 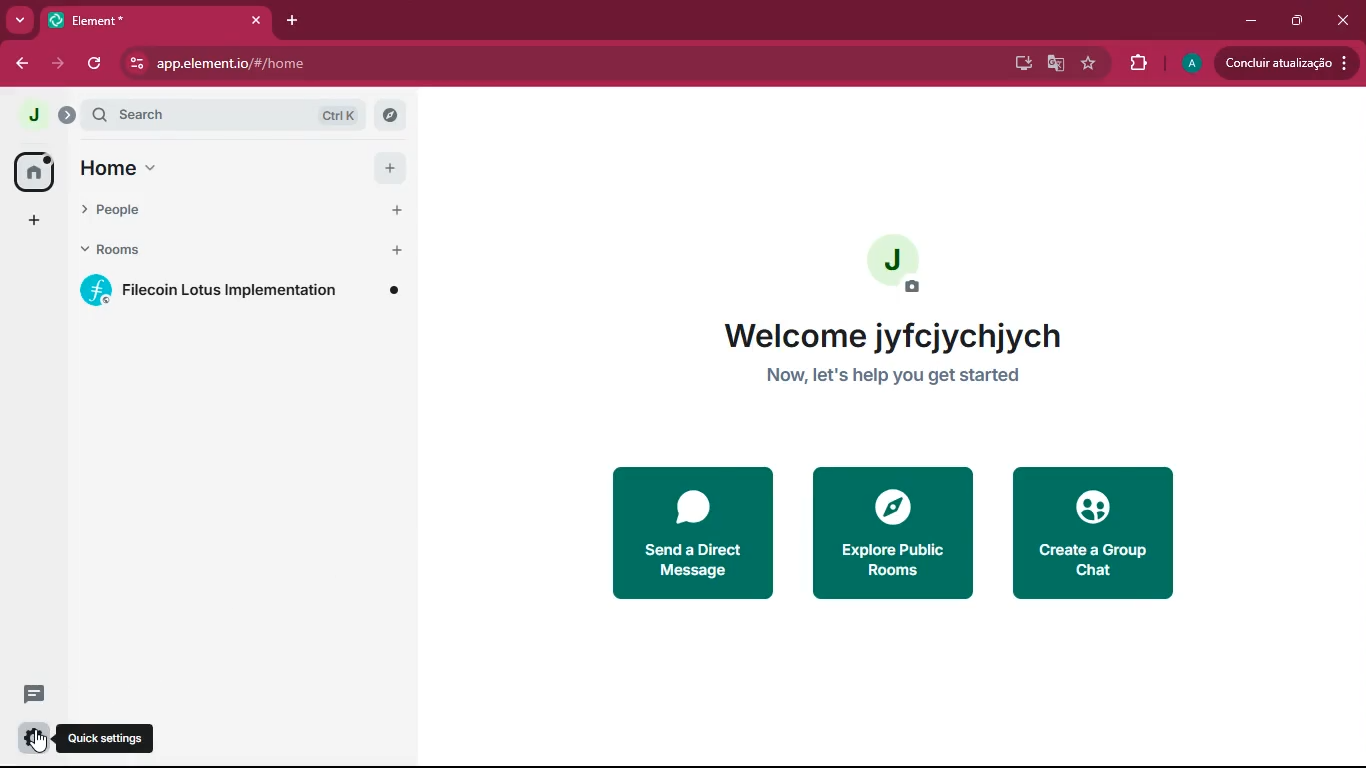 I want to click on Add room, so click(x=393, y=250).